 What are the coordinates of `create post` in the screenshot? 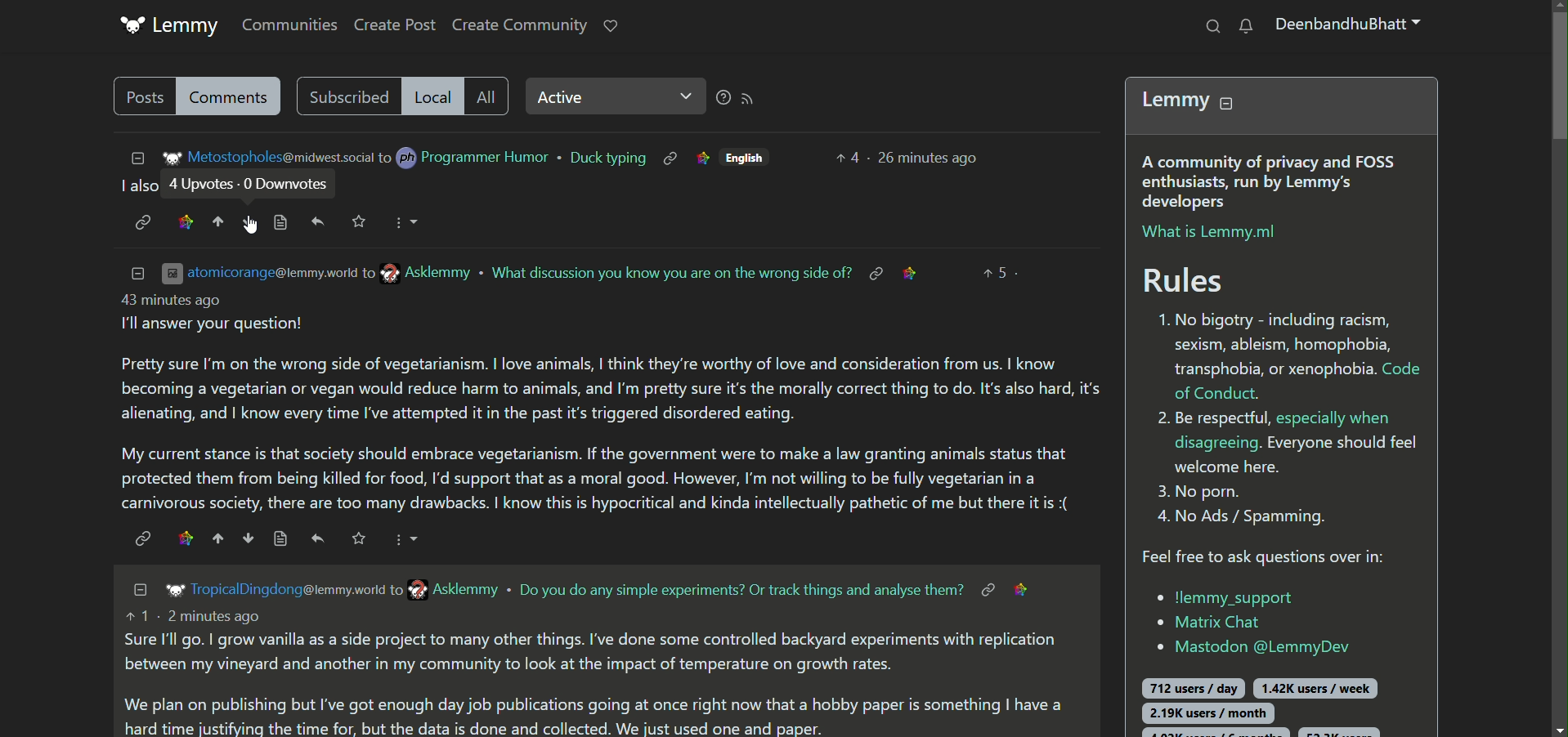 It's located at (396, 26).